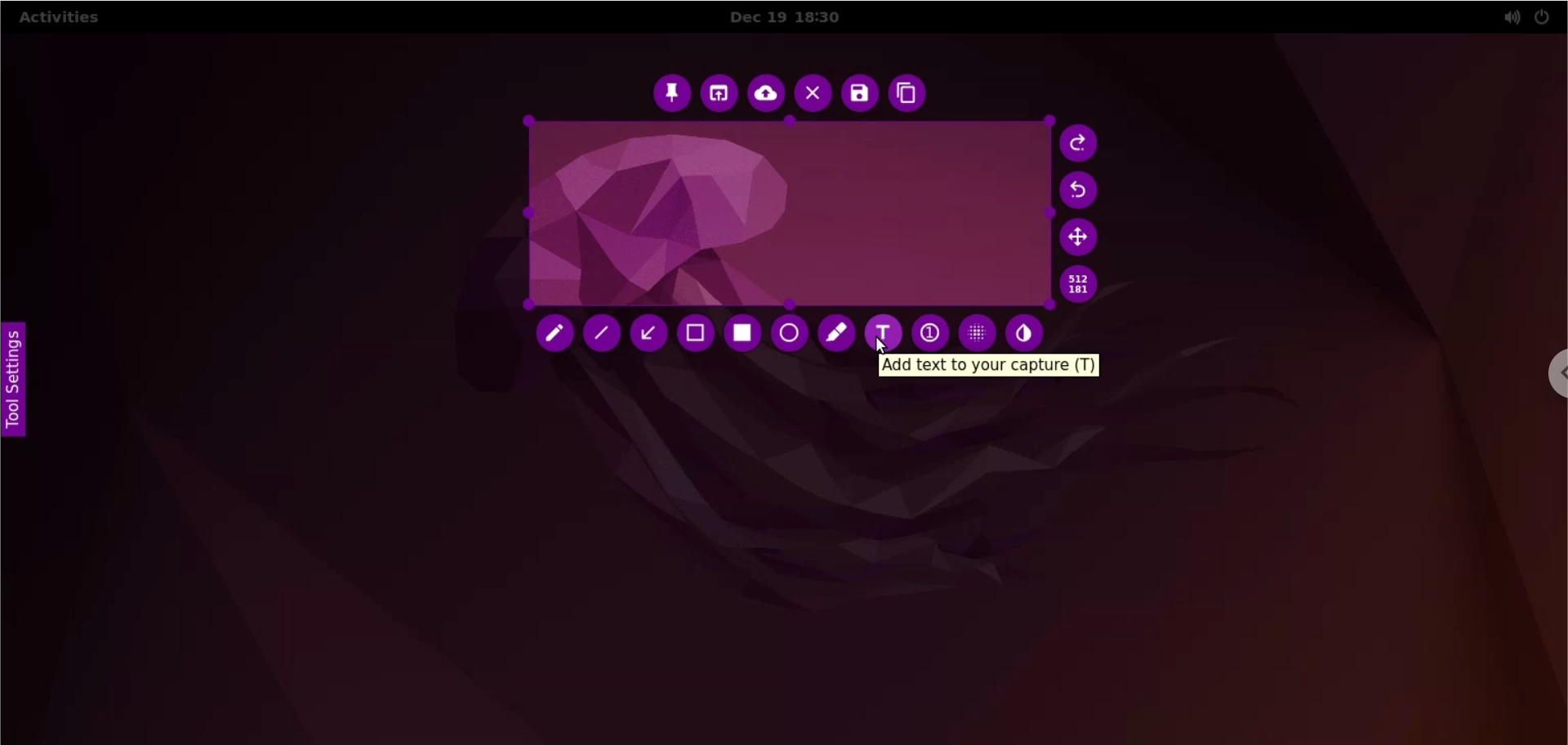 The image size is (1568, 745). What do you see at coordinates (653, 336) in the screenshot?
I see `arrow tool` at bounding box center [653, 336].